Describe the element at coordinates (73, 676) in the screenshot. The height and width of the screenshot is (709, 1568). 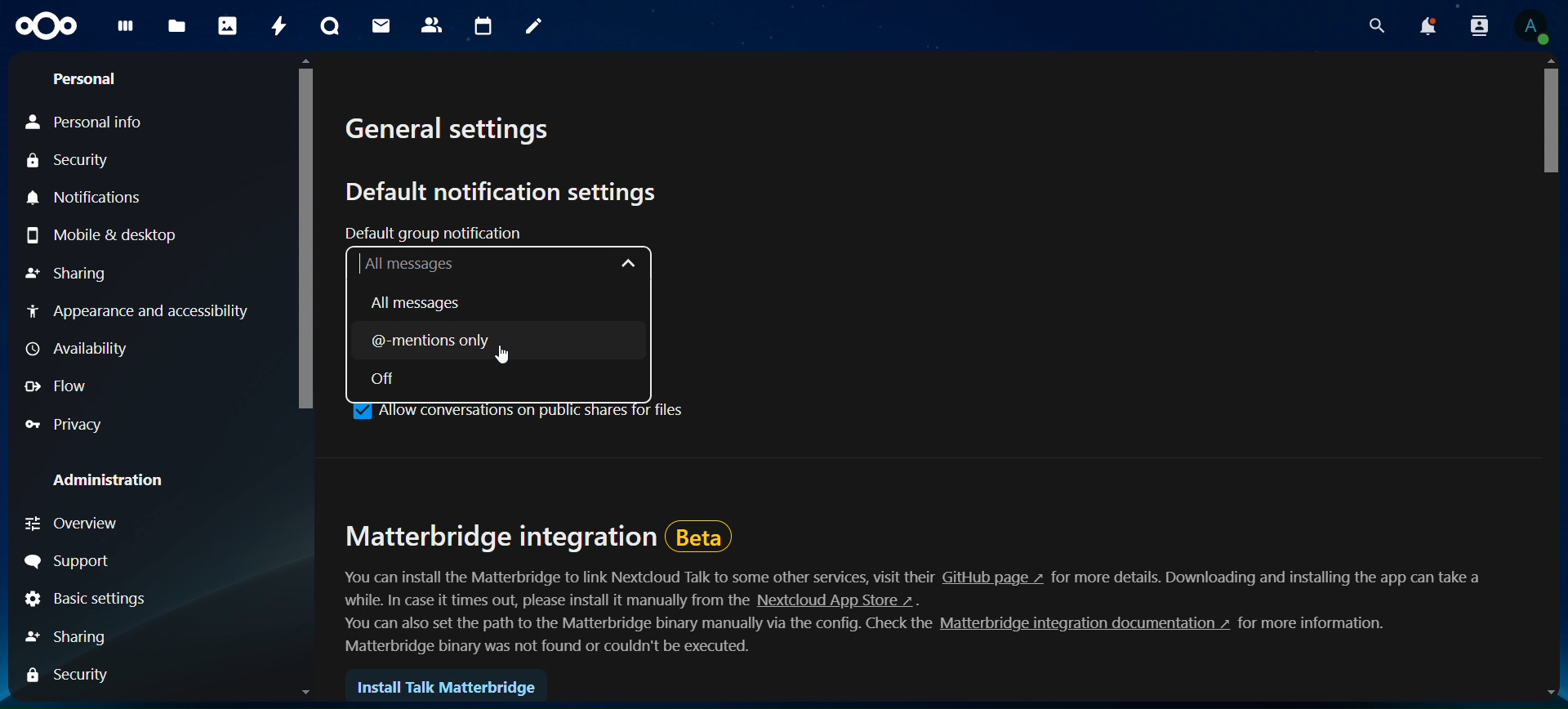
I see `security` at that location.